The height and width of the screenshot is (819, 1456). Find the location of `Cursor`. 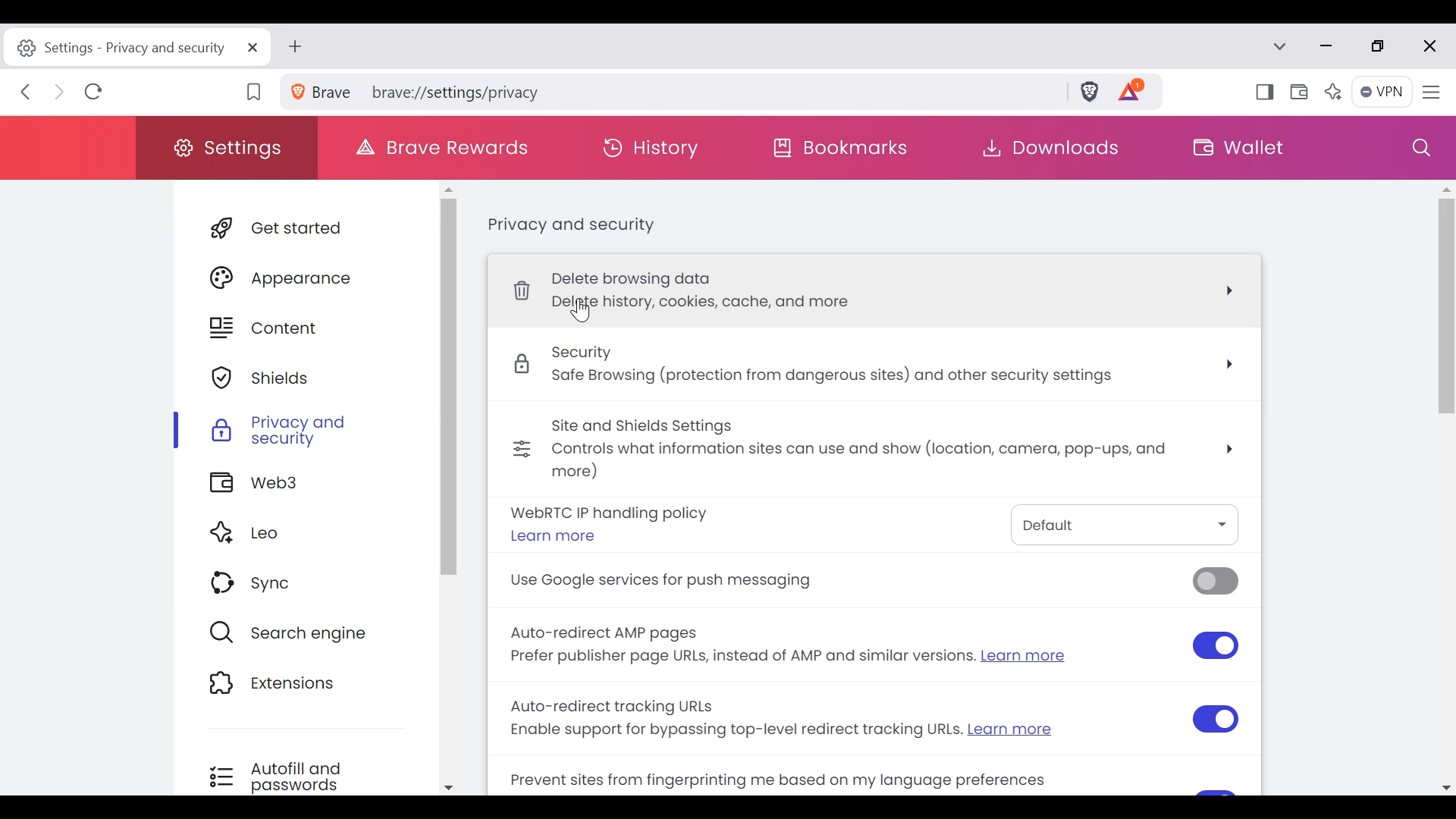

Cursor is located at coordinates (579, 314).